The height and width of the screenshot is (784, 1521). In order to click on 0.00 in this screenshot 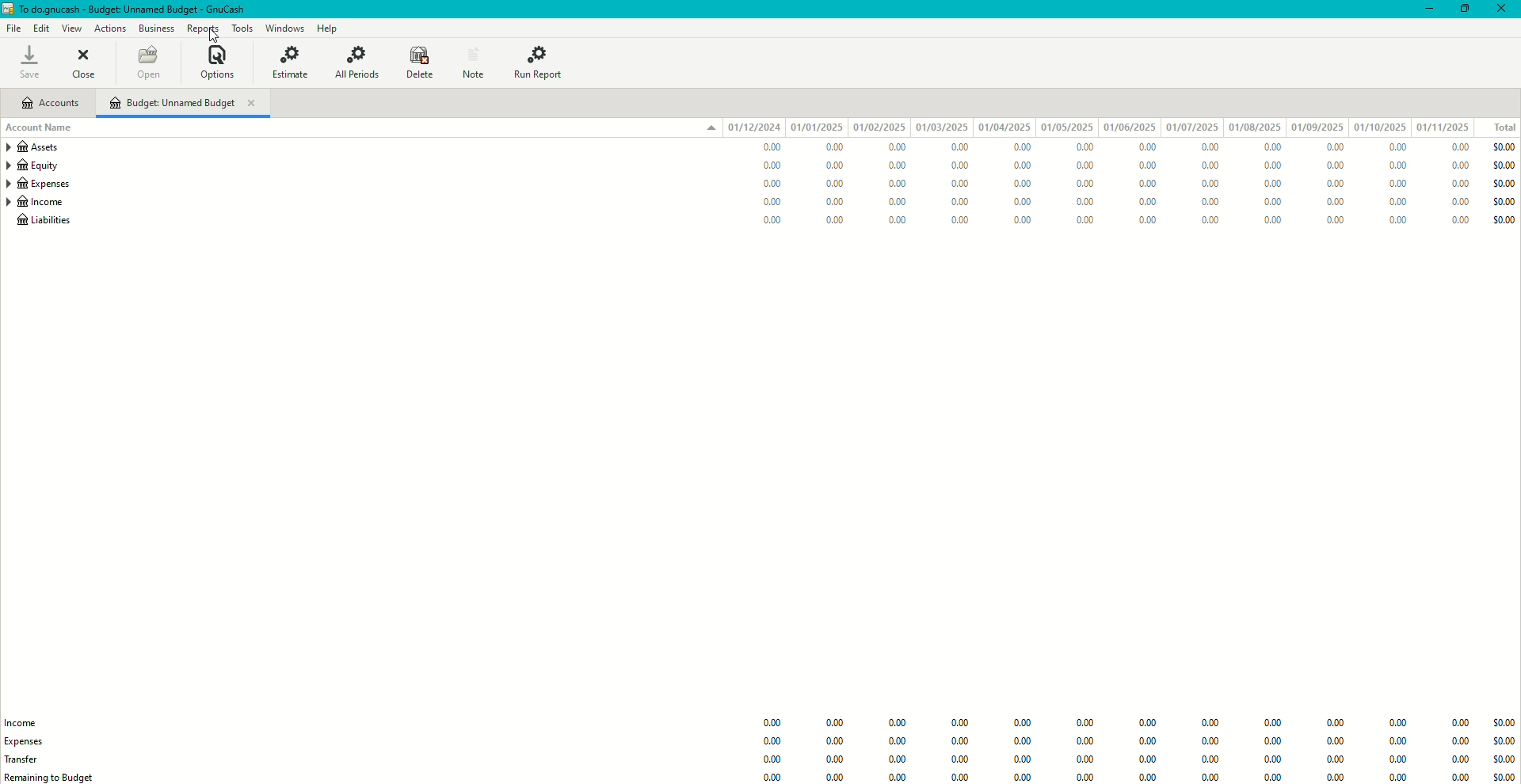, I will do `click(1020, 724)`.